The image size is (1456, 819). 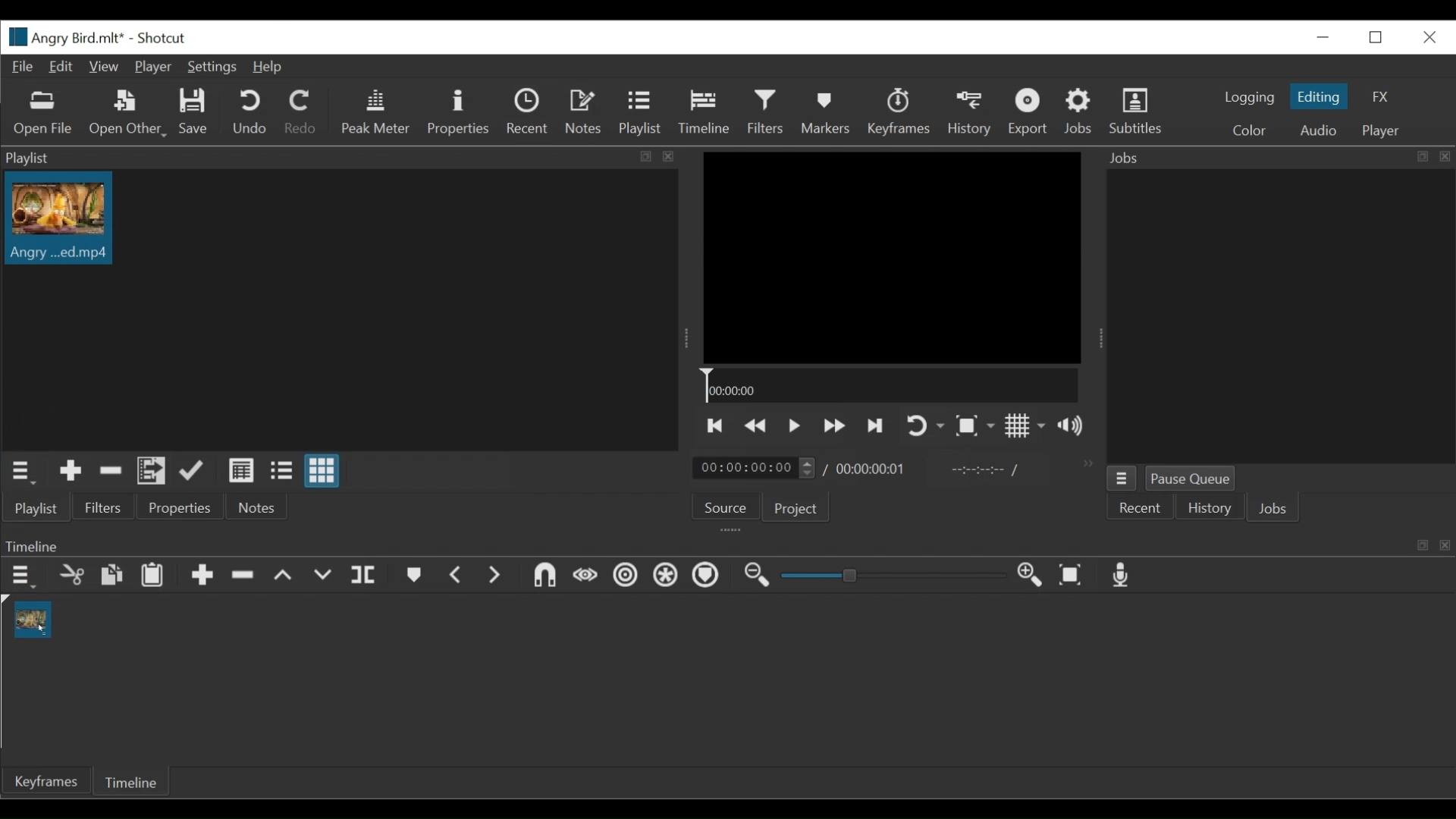 What do you see at coordinates (58, 218) in the screenshot?
I see `Clip` at bounding box center [58, 218].